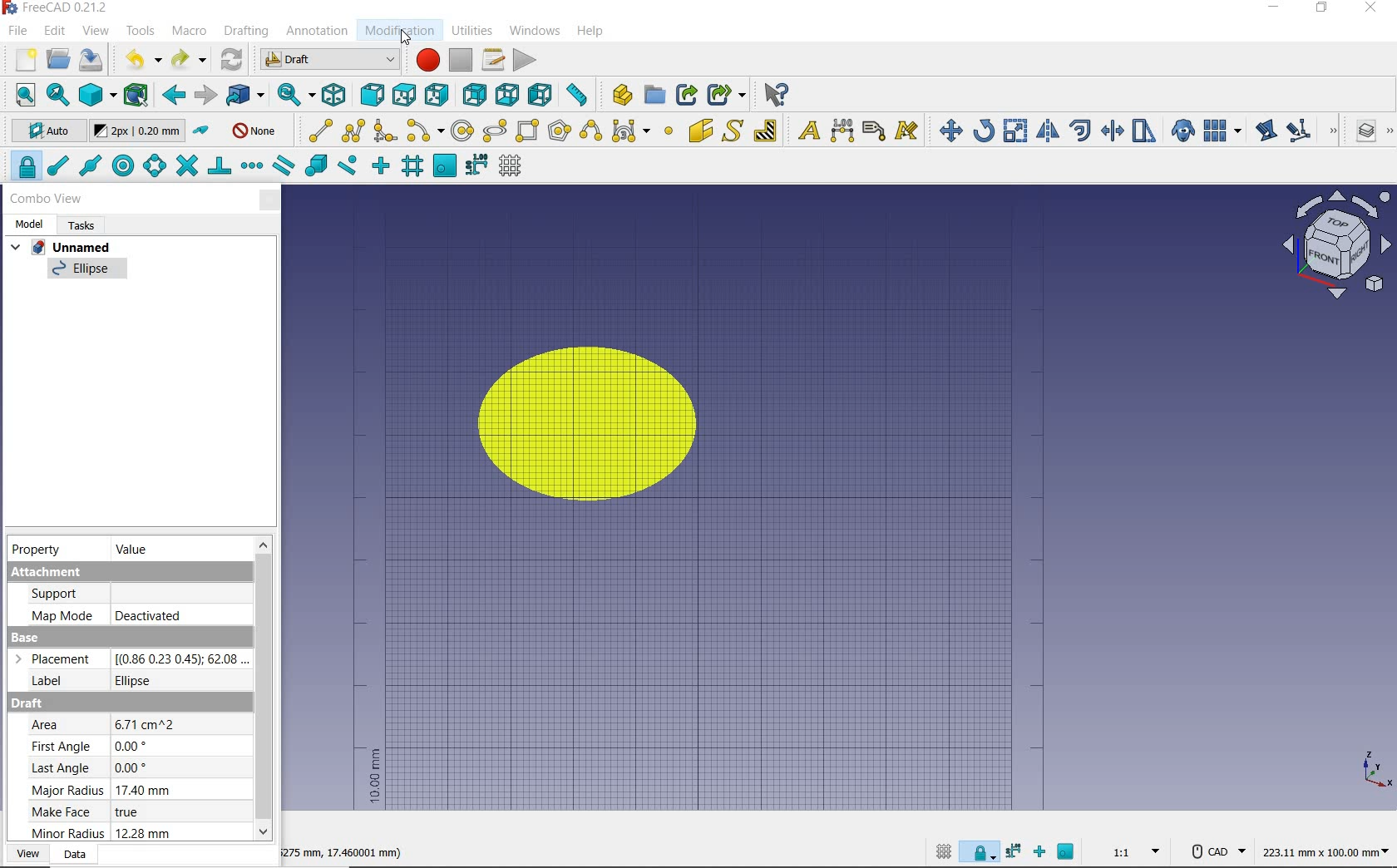 The height and width of the screenshot is (868, 1397). What do you see at coordinates (59, 166) in the screenshot?
I see `snap endpoint` at bounding box center [59, 166].